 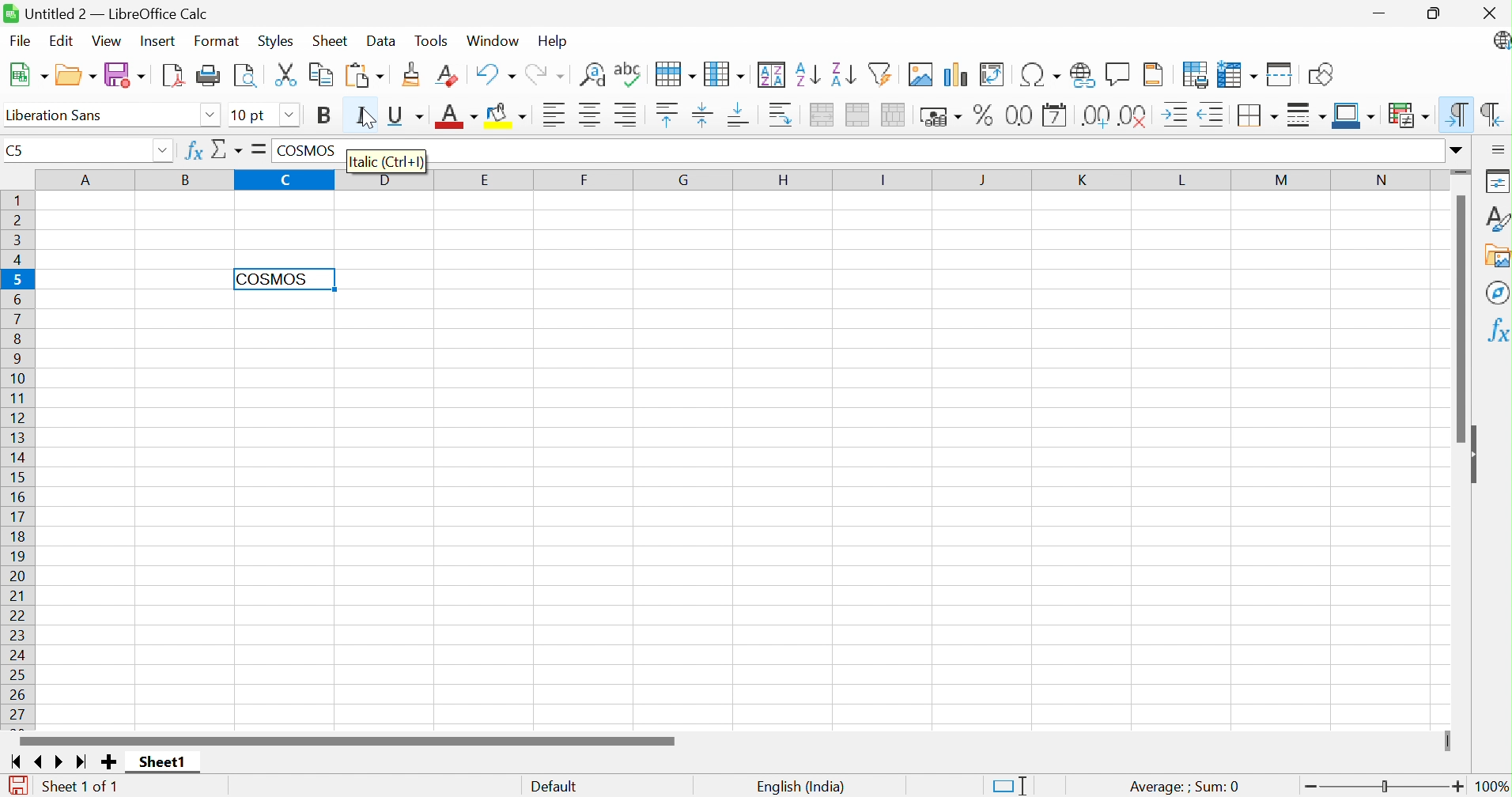 I want to click on Default, so click(x=554, y=788).